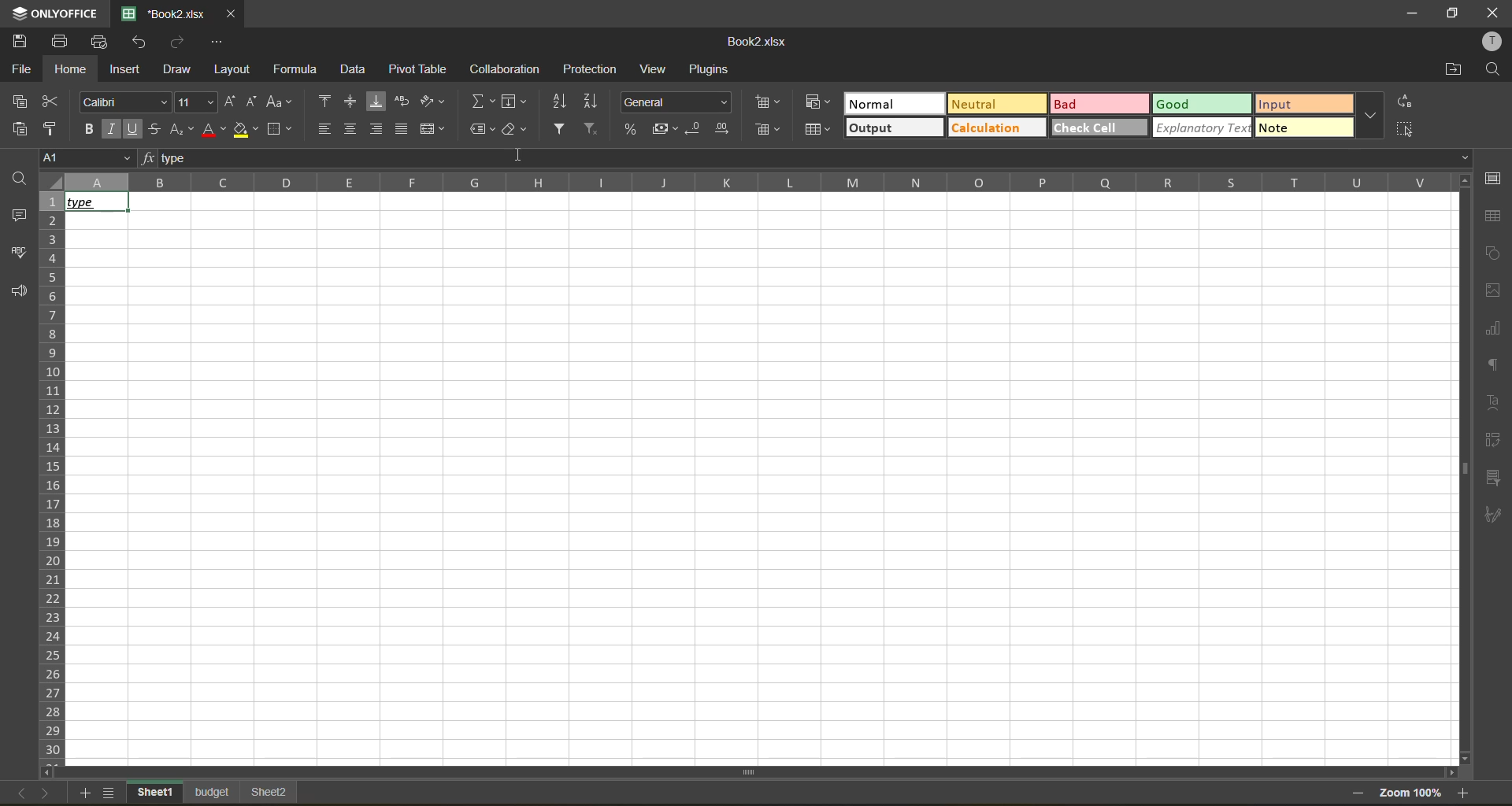  I want to click on pivot table, so click(419, 70).